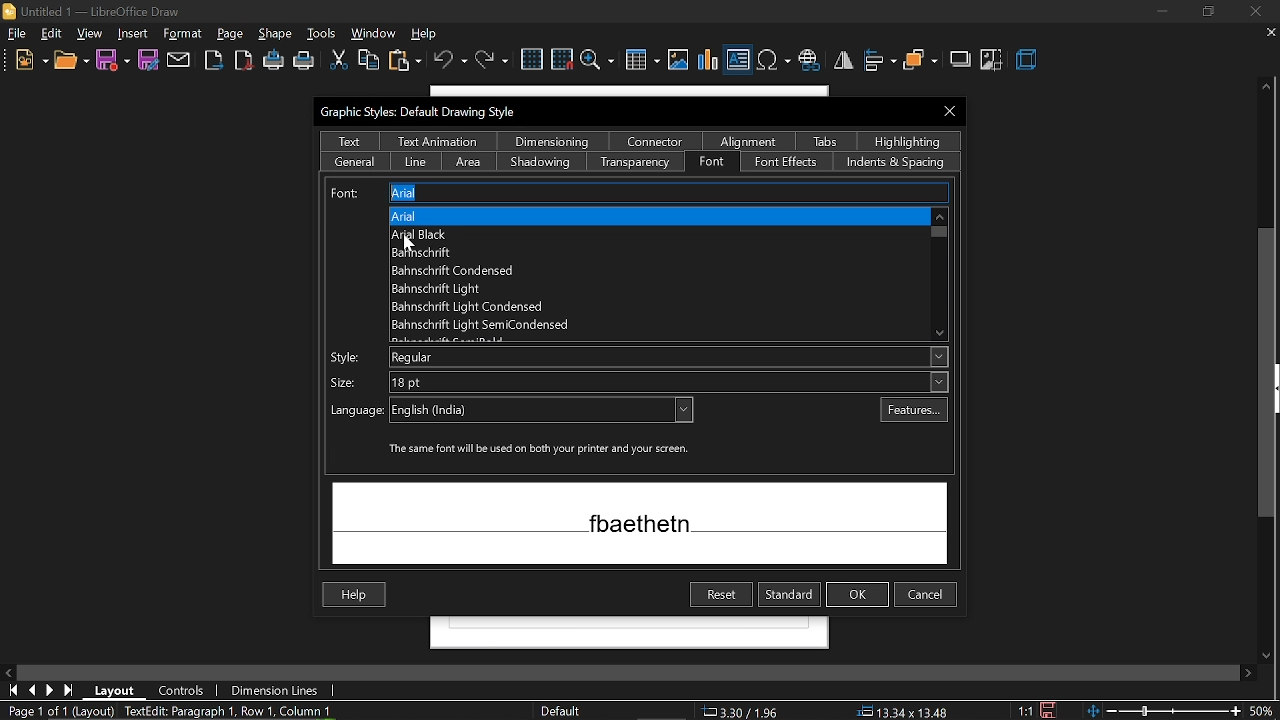 This screenshot has height=720, width=1280. Describe the element at coordinates (431, 33) in the screenshot. I see `help` at that location.